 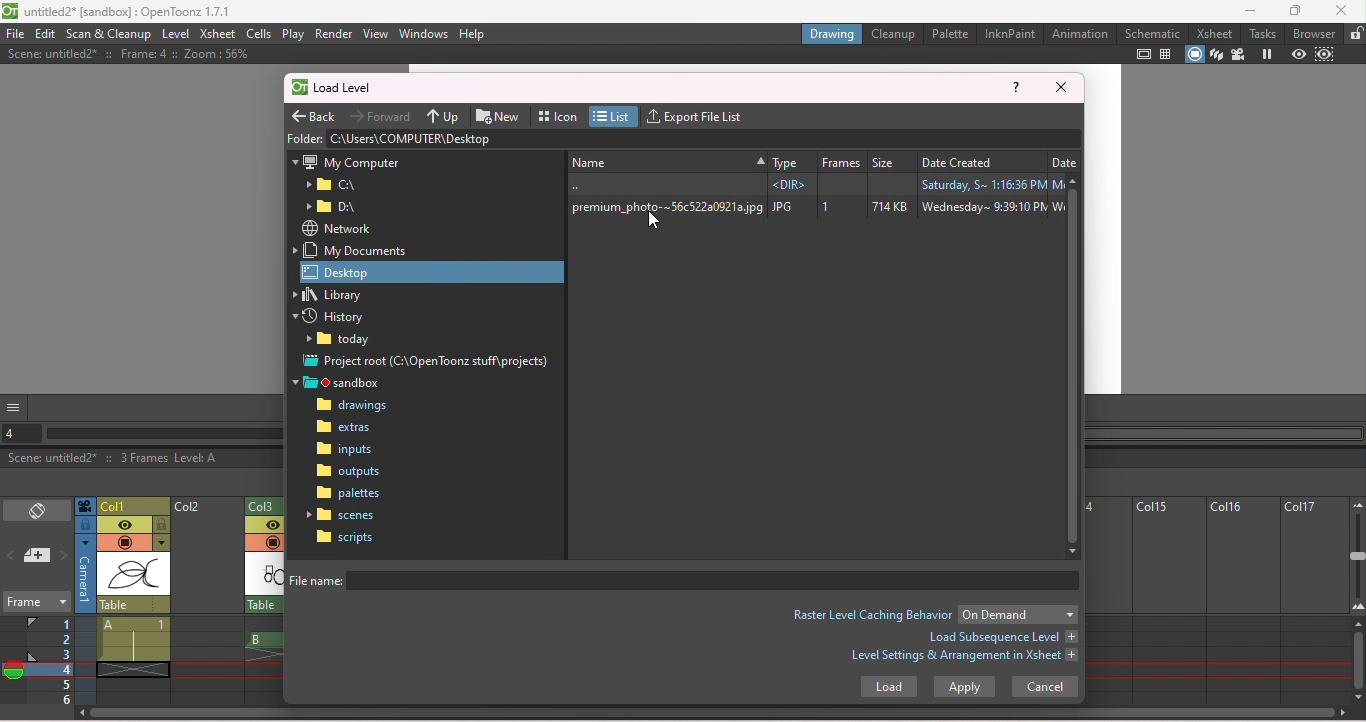 I want to click on Scene: untitled2* : Frame: 4 :: Zoom: 56%, so click(x=127, y=54).